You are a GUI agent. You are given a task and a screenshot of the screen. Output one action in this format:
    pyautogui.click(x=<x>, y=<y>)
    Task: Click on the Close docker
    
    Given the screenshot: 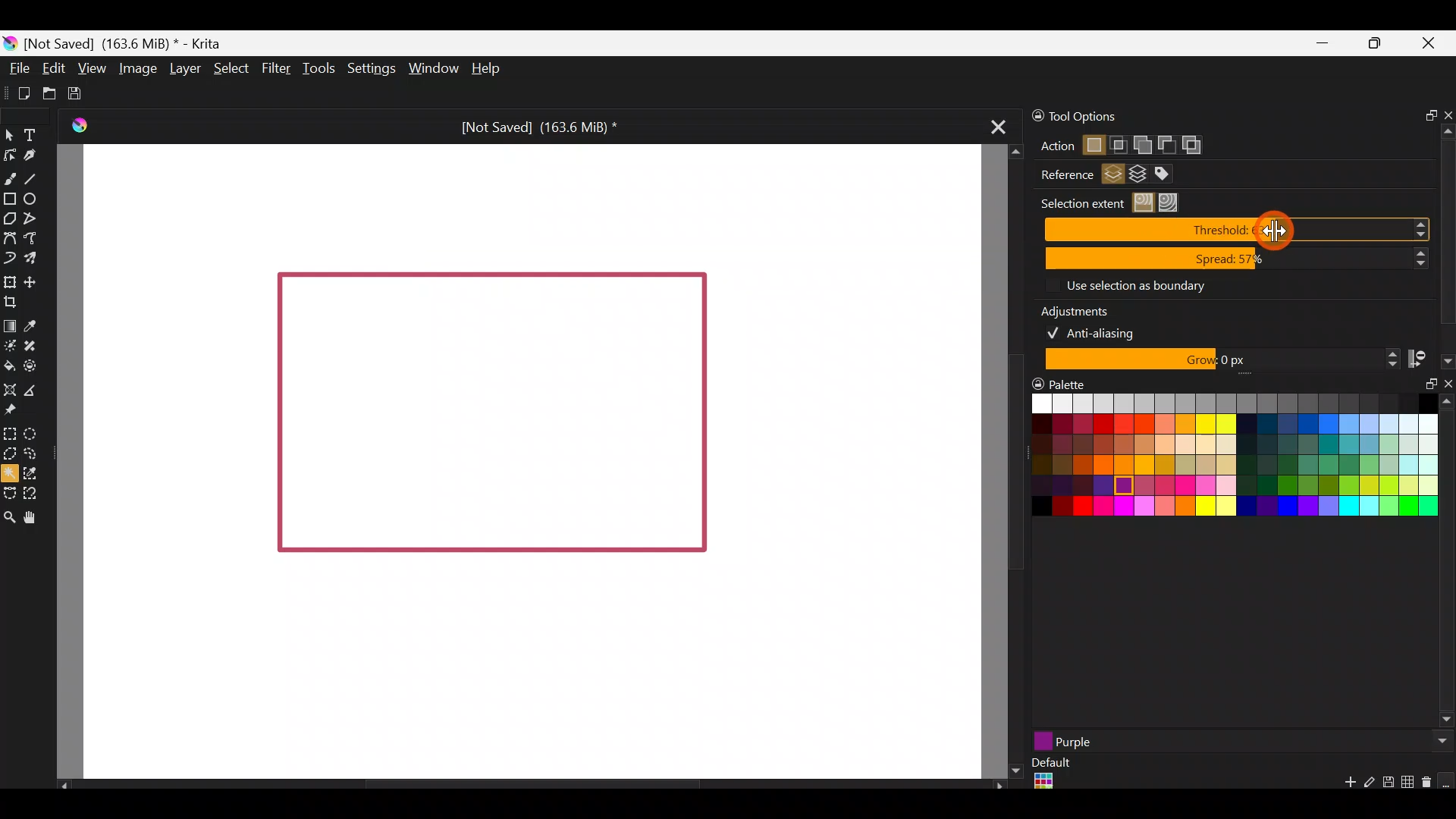 What is the action you would take?
    pyautogui.click(x=1446, y=387)
    